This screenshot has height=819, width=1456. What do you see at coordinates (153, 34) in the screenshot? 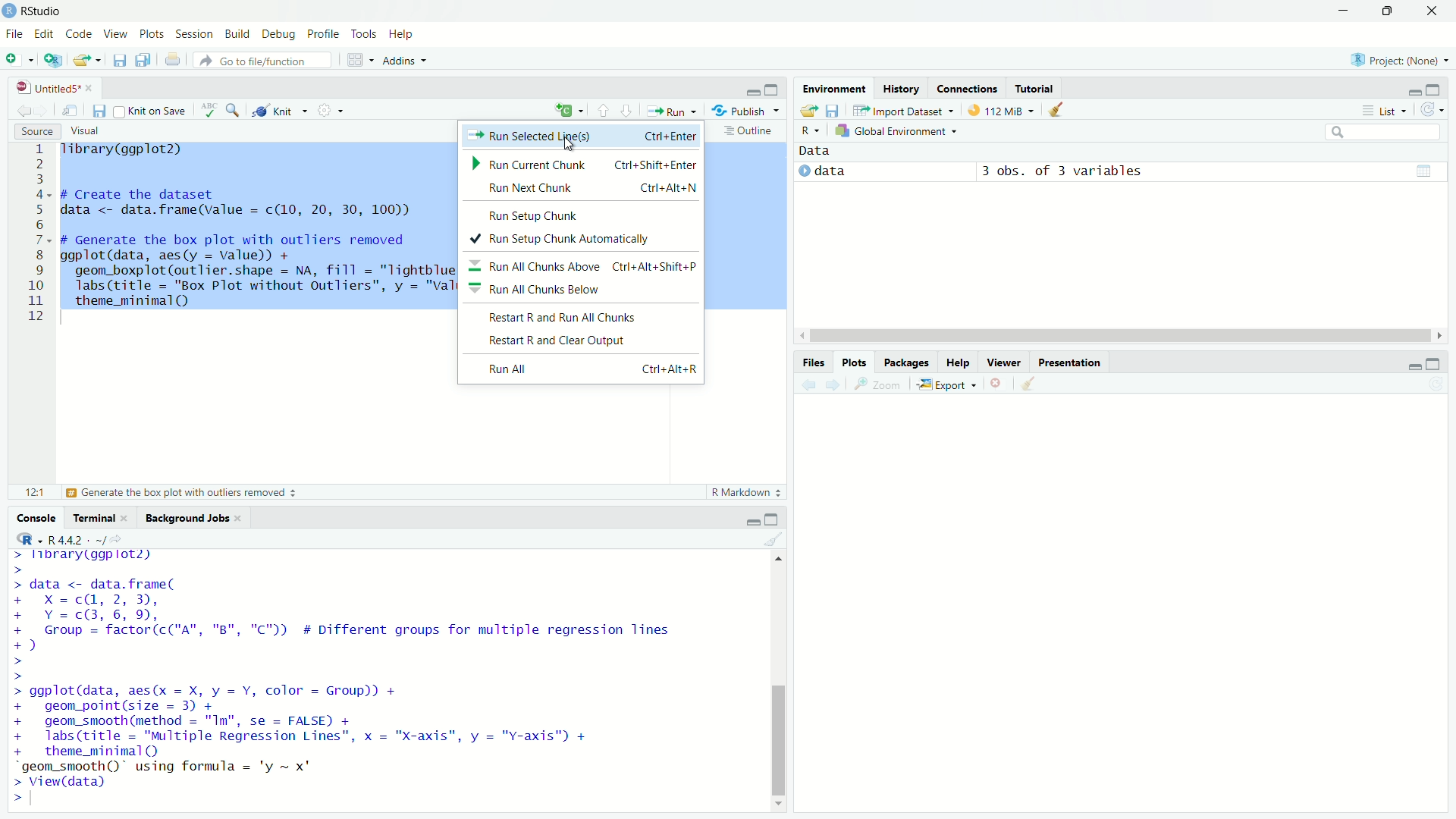
I see `Plots` at bounding box center [153, 34].